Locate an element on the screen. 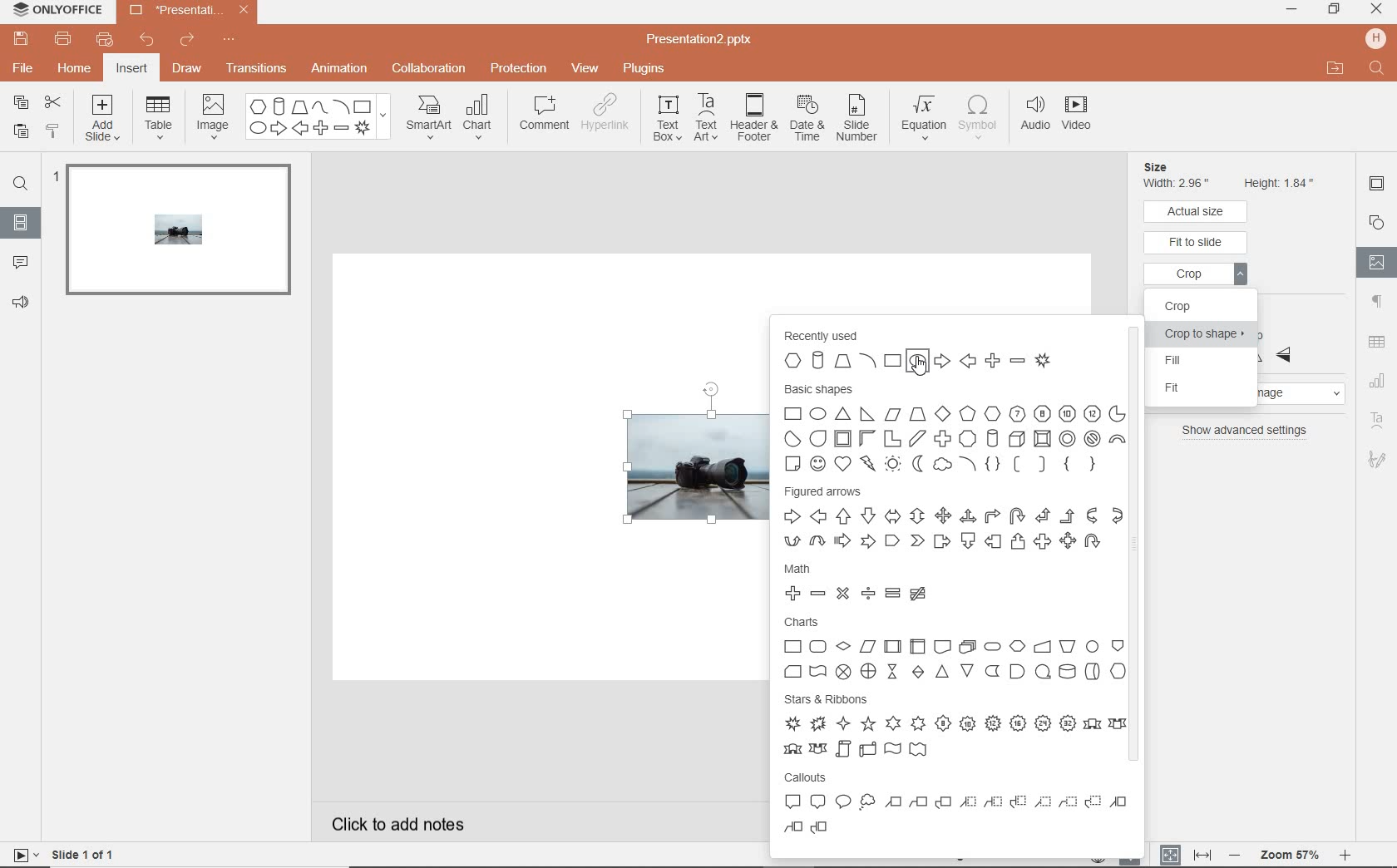 The image size is (1397, 868). crop is located at coordinates (1198, 277).